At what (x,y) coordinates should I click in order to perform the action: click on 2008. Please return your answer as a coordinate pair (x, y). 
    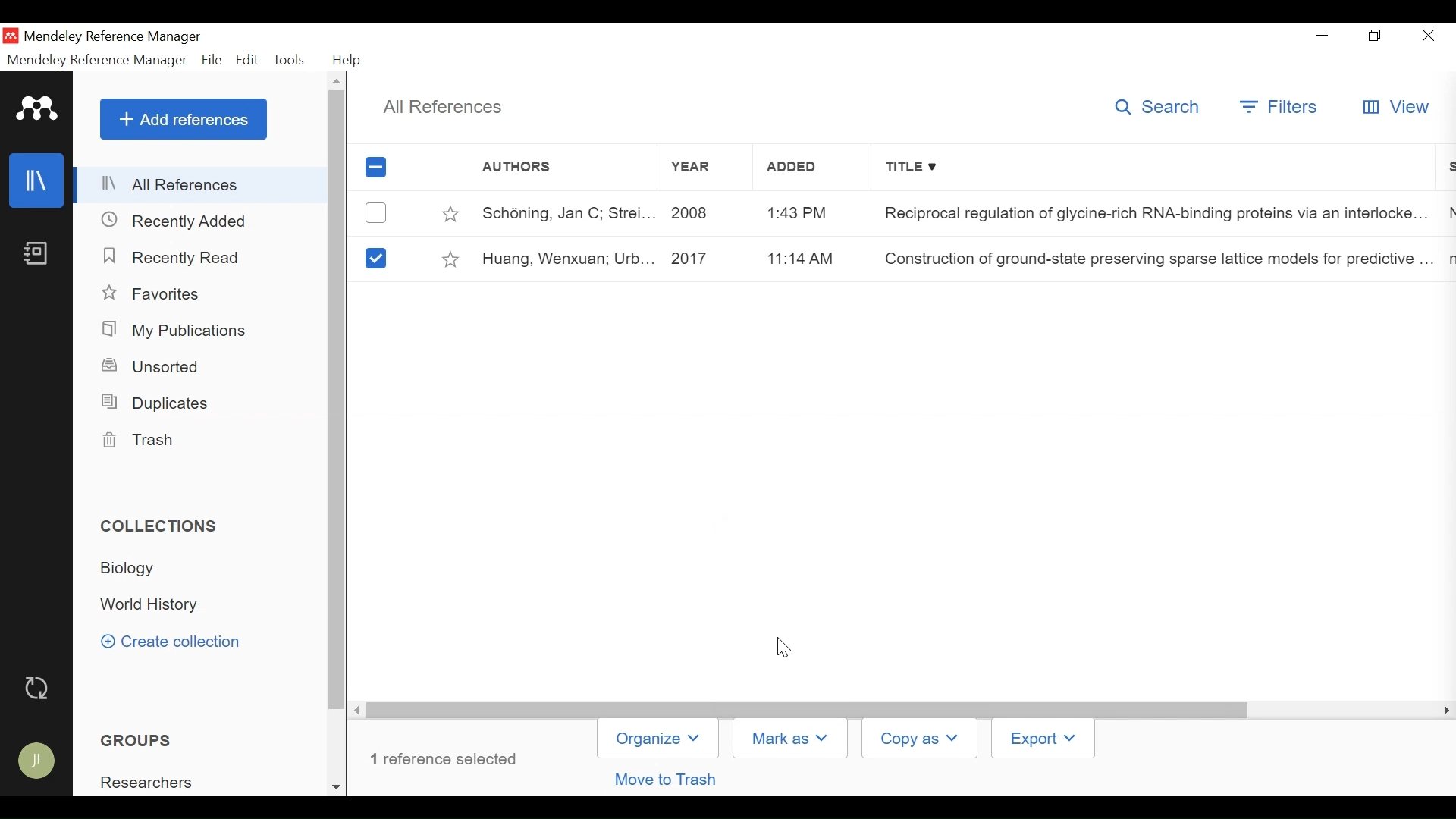
    Looking at the image, I should click on (695, 215).